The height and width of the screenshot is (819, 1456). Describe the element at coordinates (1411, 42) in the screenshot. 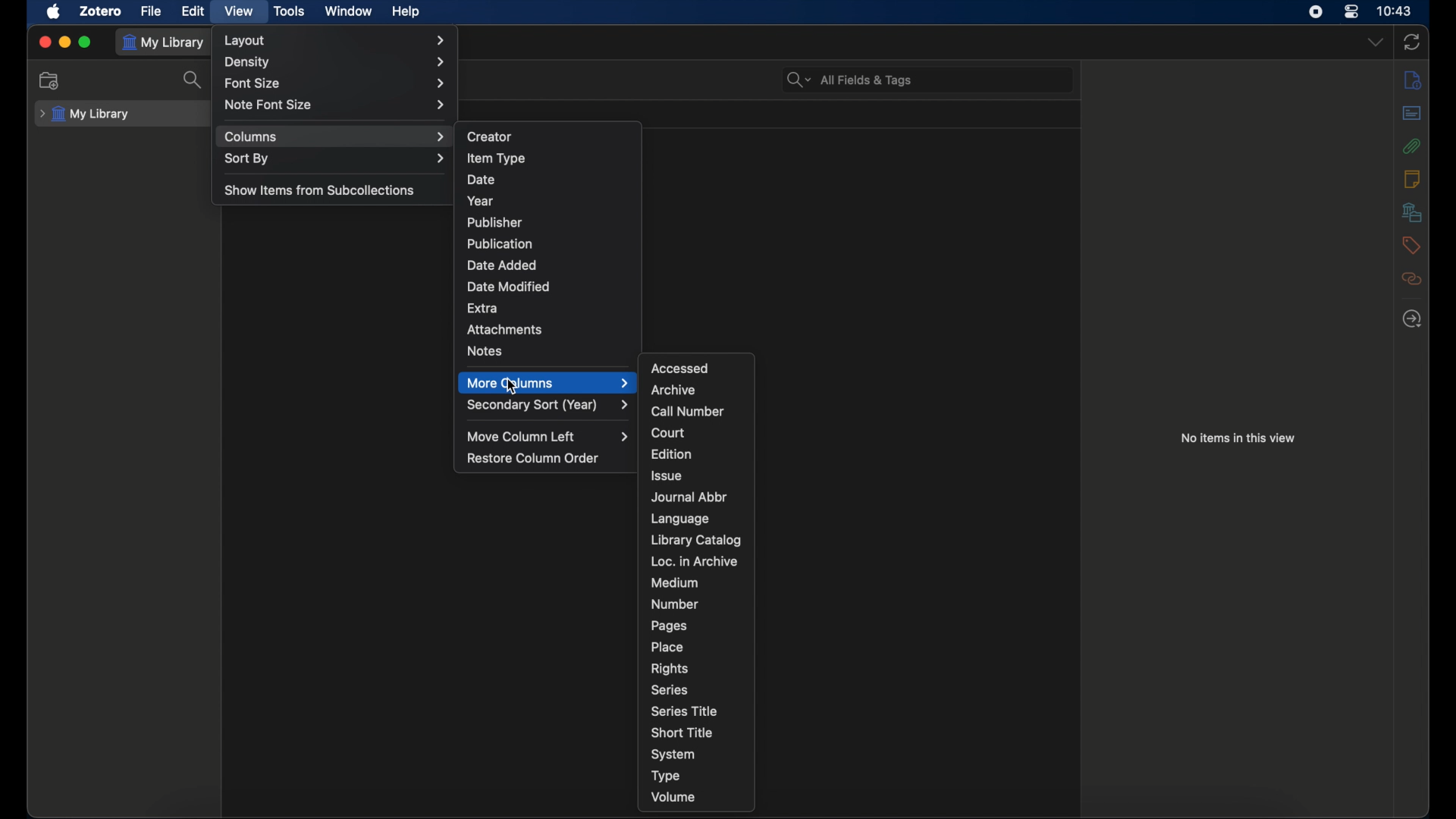

I see `sync` at that location.